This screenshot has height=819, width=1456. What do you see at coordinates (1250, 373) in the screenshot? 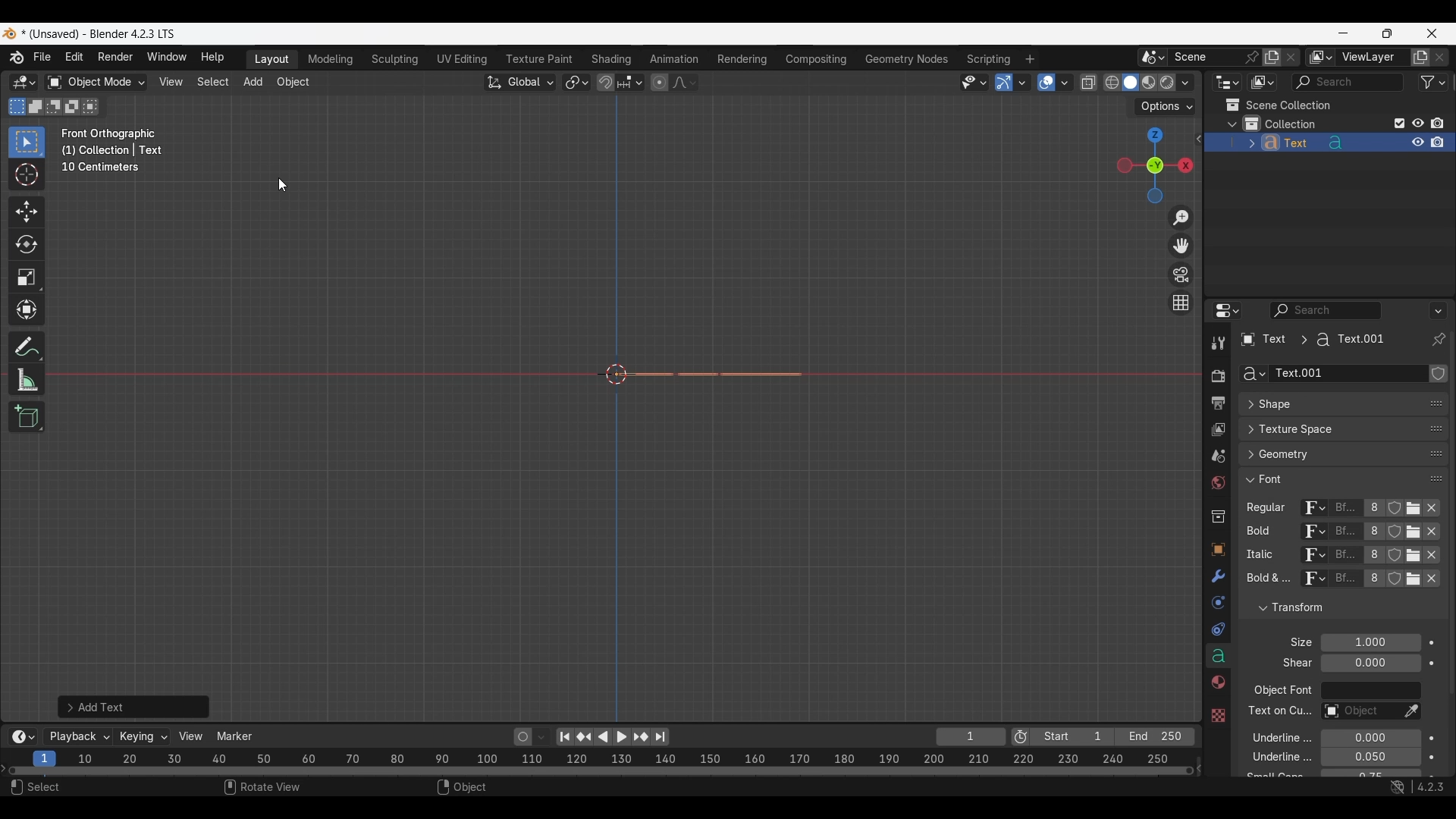
I see `Browse Curve Data to be linked` at bounding box center [1250, 373].